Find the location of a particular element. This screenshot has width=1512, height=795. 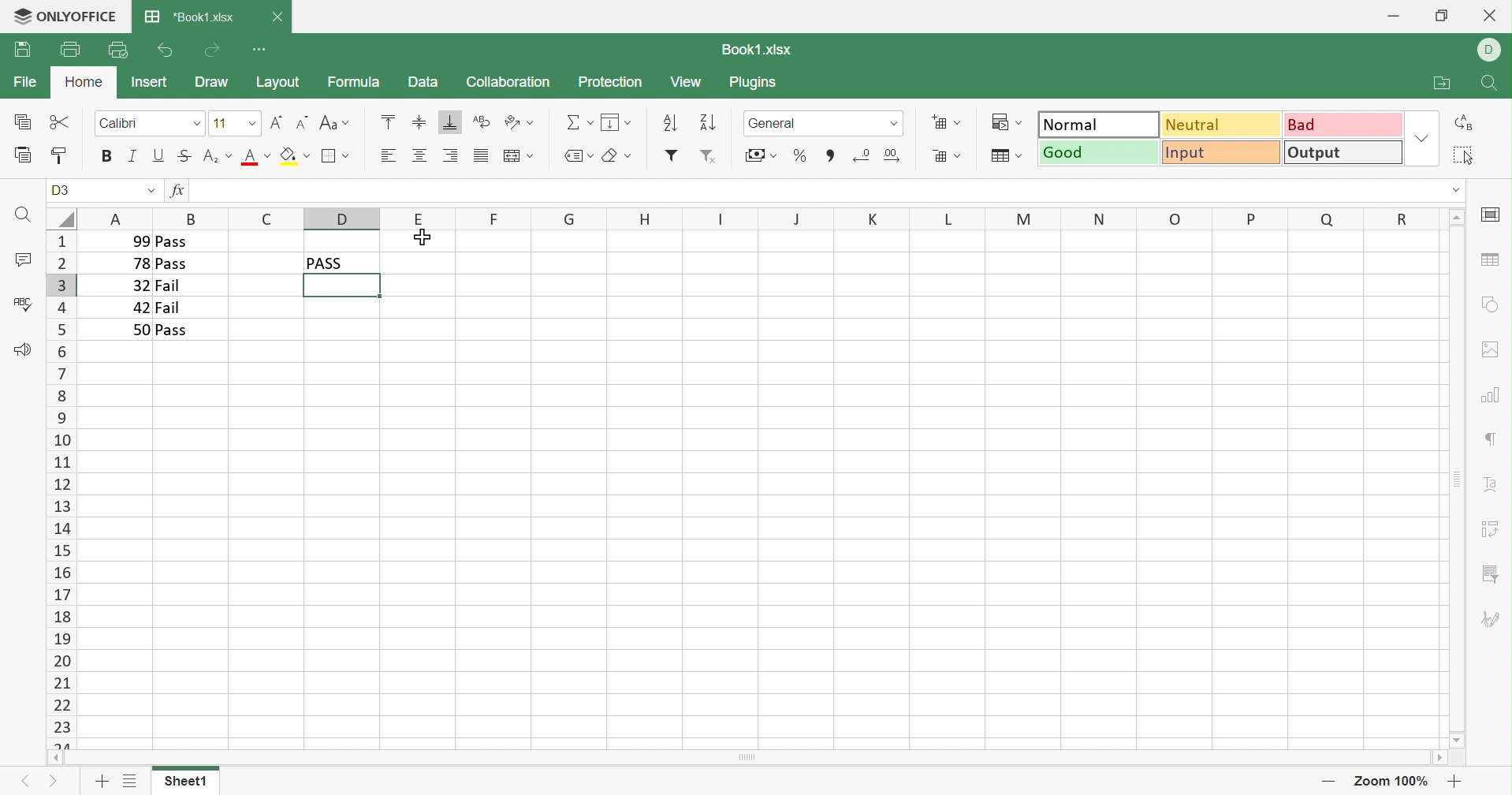

Align middle is located at coordinates (421, 155).